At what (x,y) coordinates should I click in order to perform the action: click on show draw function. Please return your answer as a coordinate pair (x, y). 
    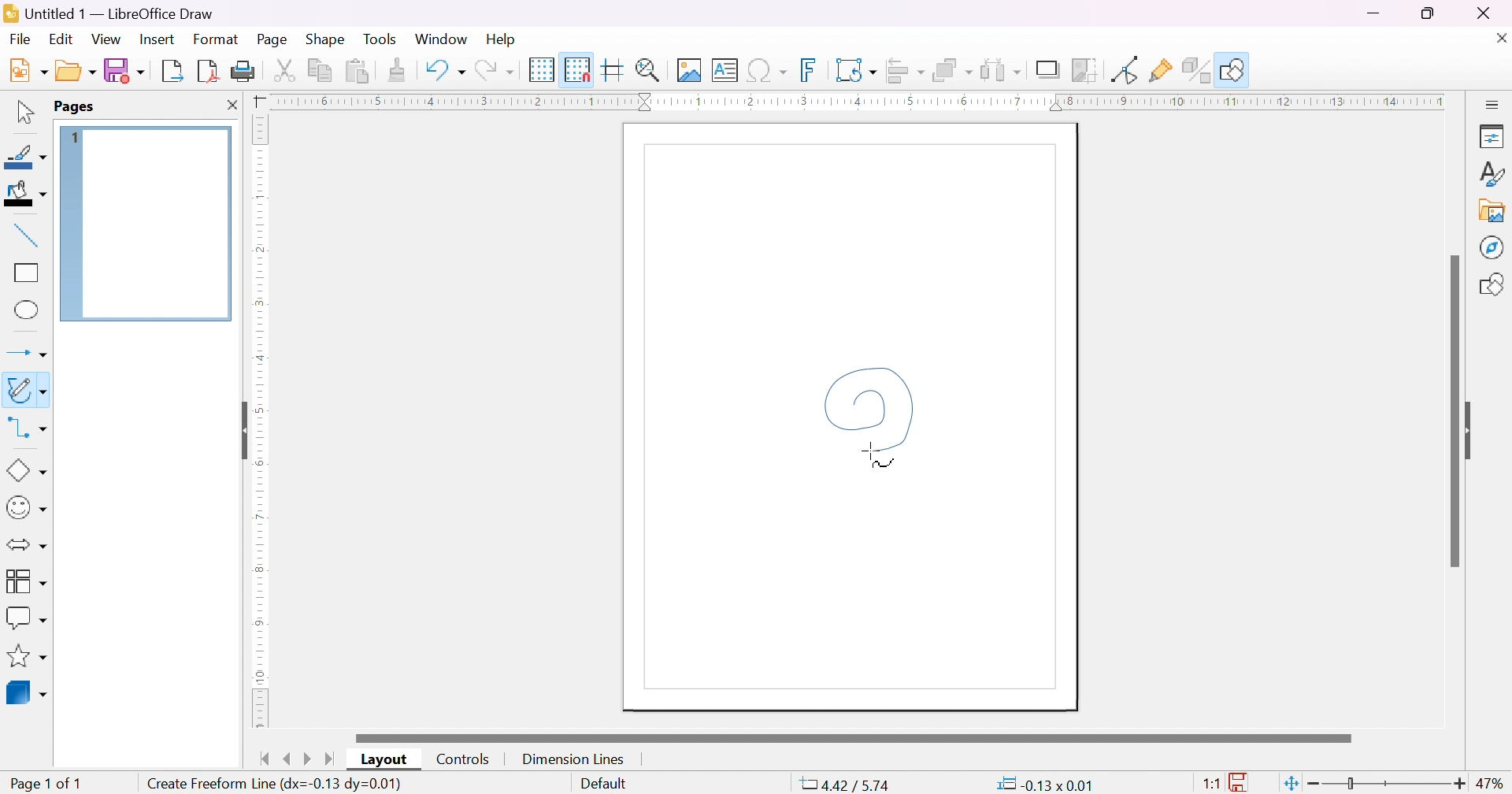
    Looking at the image, I should click on (1232, 70).